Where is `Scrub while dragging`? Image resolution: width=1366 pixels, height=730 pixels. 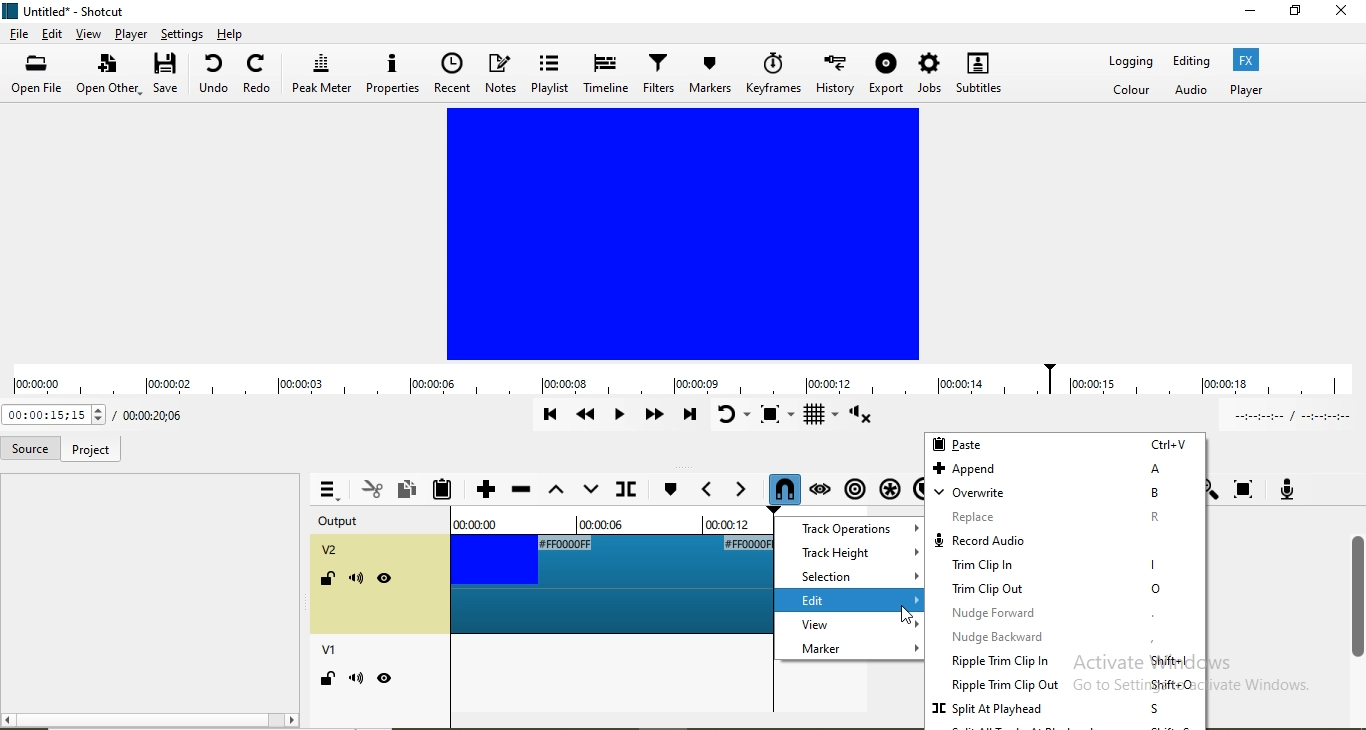 Scrub while dragging is located at coordinates (820, 486).